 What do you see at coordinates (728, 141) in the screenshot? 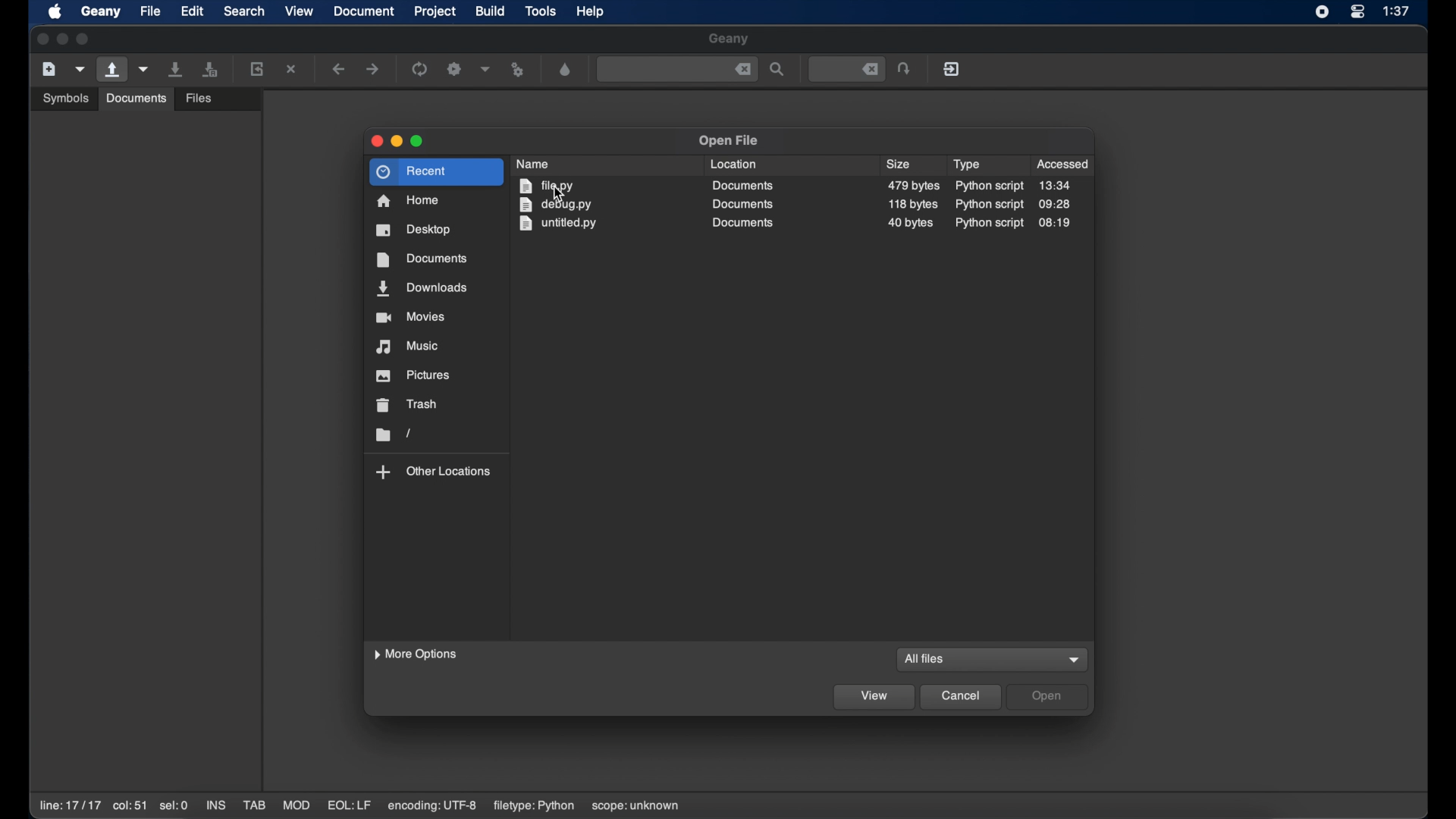
I see `open file` at bounding box center [728, 141].